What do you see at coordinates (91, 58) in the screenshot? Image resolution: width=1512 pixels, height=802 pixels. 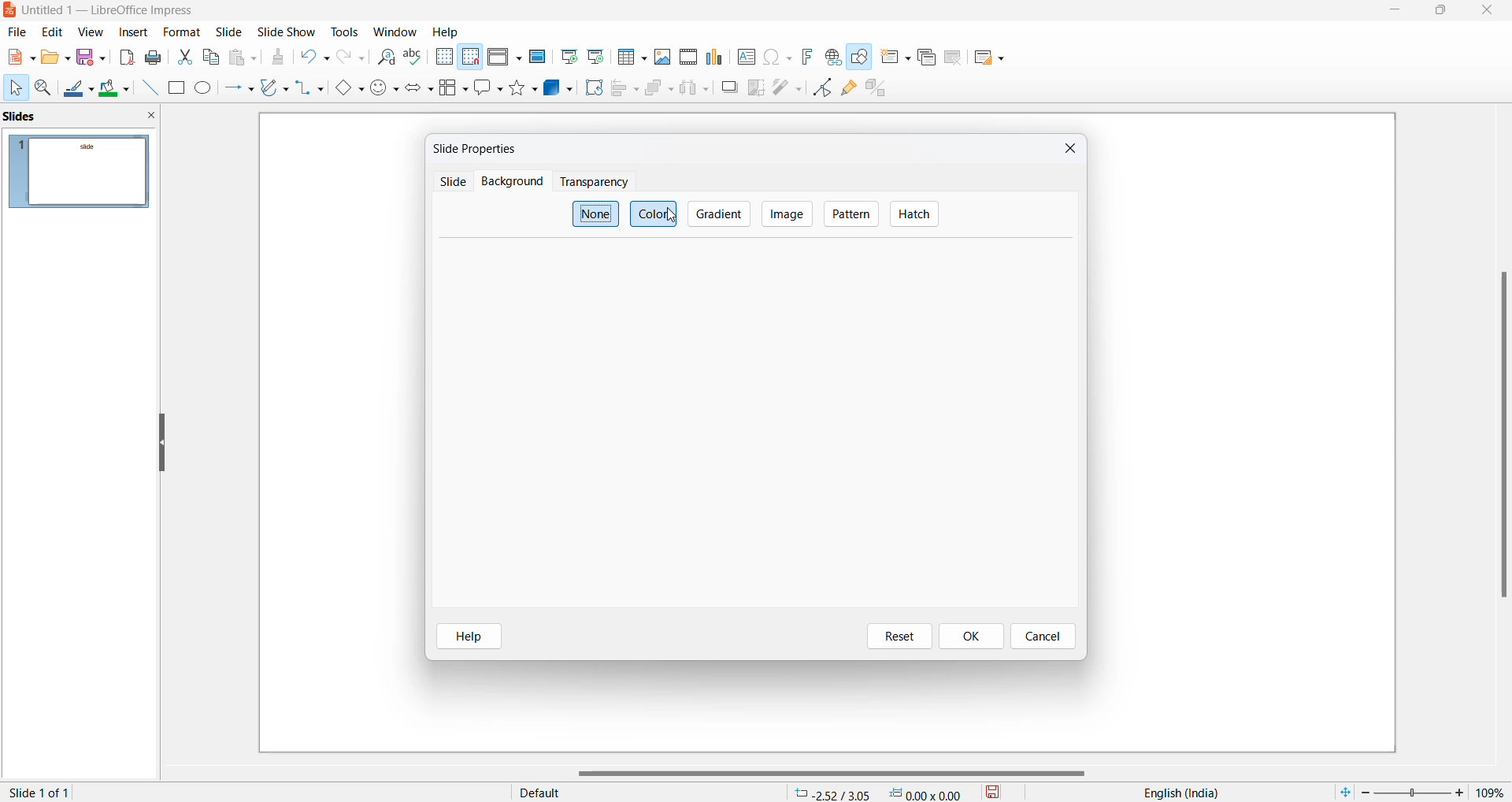 I see `save option` at bounding box center [91, 58].